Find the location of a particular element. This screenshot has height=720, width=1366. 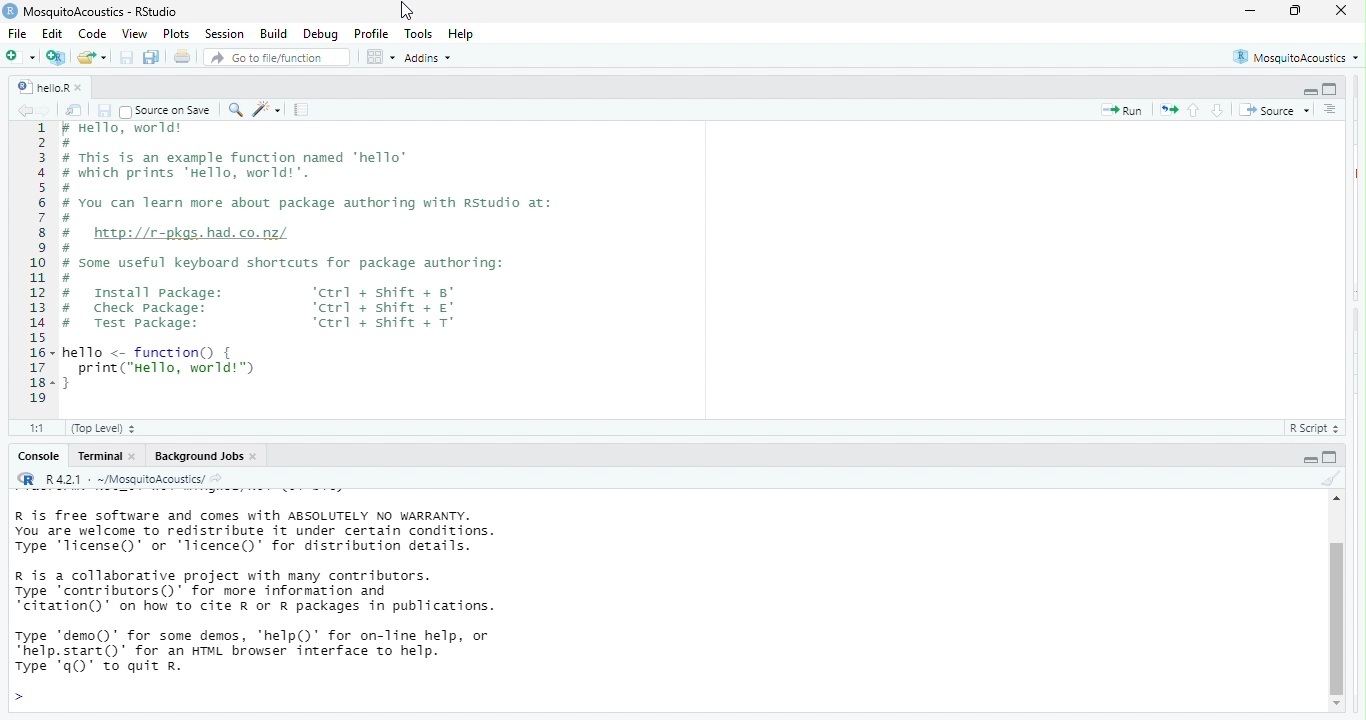

re run the previous code is located at coordinates (1167, 111).